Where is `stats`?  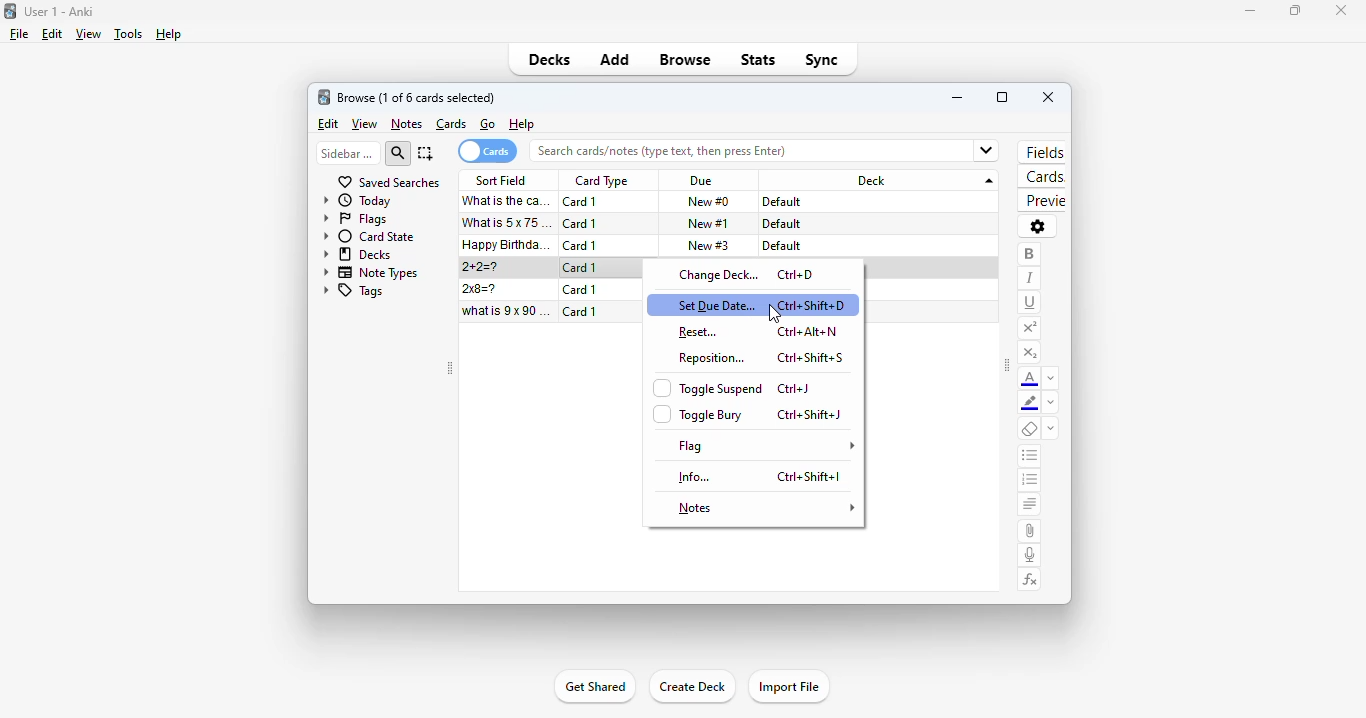 stats is located at coordinates (758, 59).